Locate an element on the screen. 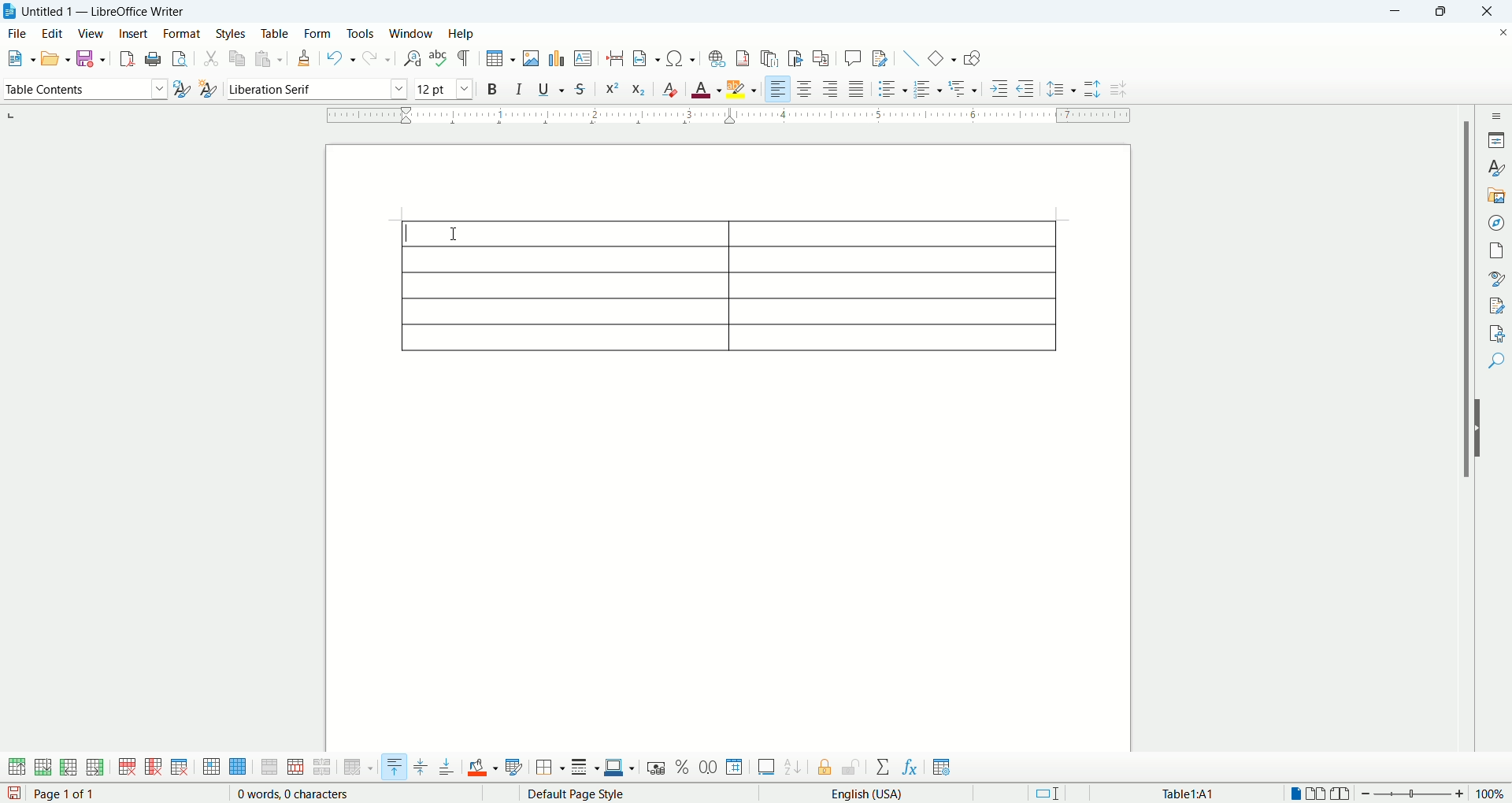  redo is located at coordinates (378, 57).